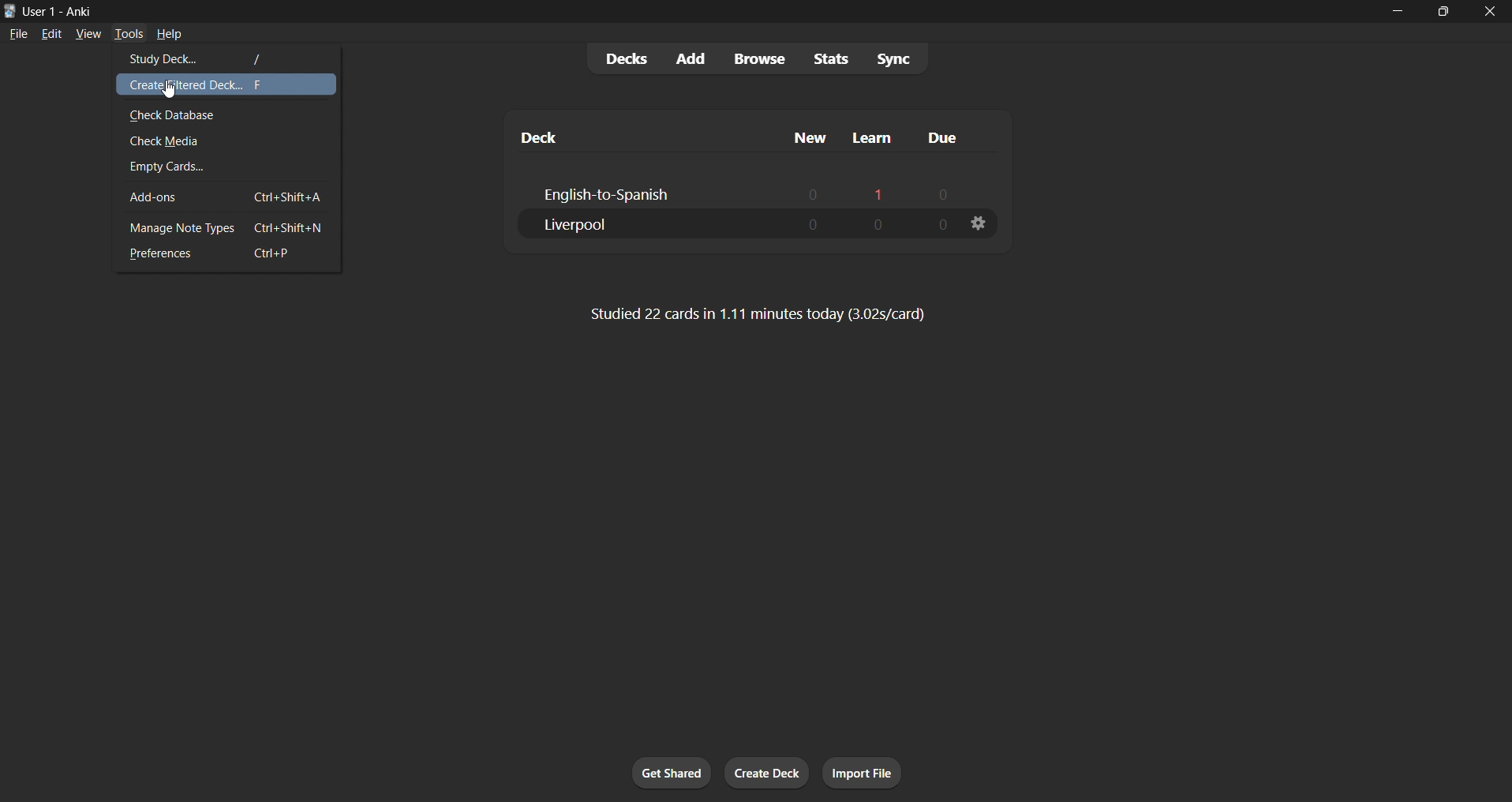  What do you see at coordinates (982, 226) in the screenshot?
I see `deck options` at bounding box center [982, 226].